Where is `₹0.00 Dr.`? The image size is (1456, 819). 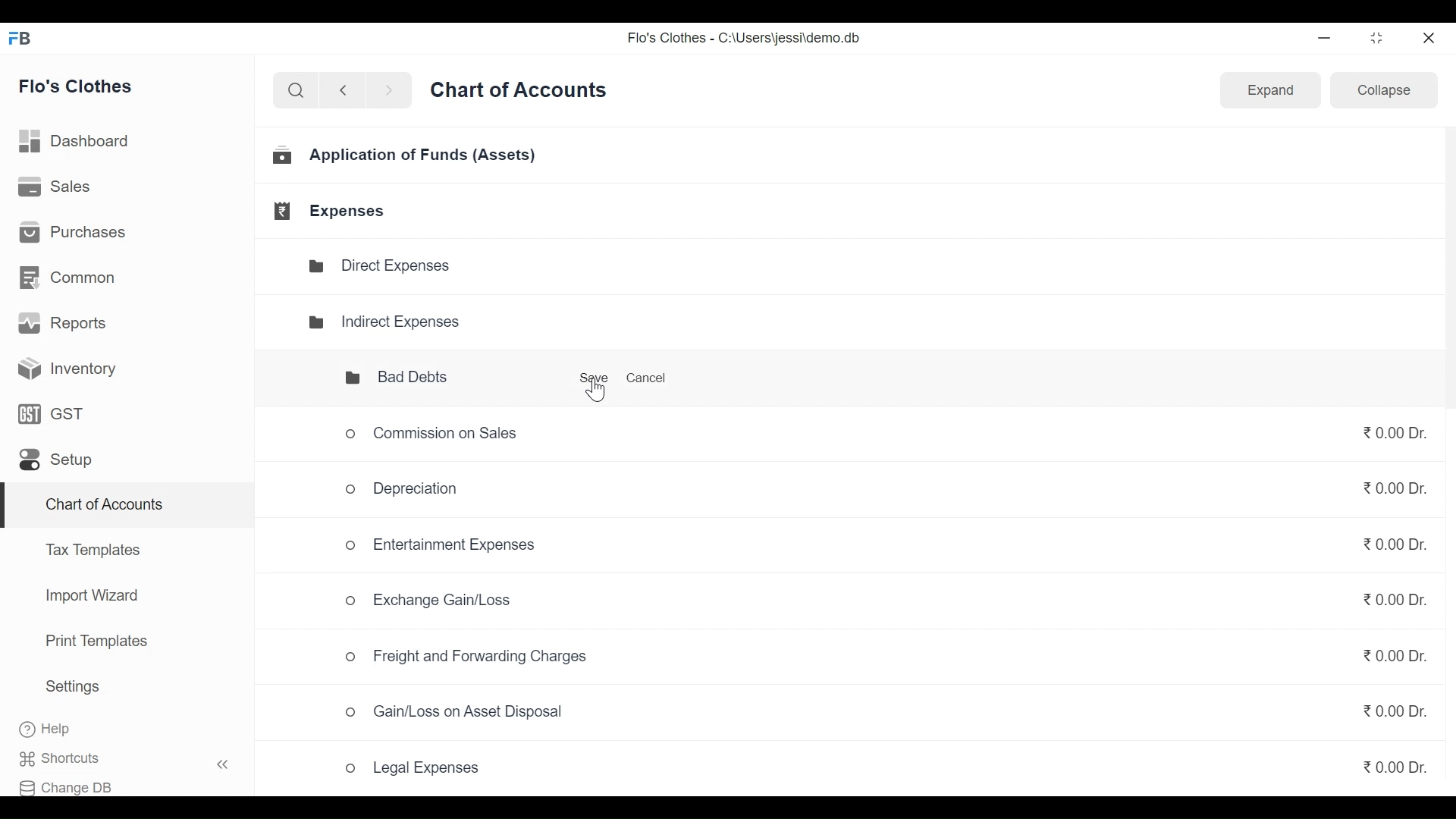
₹0.00 Dr. is located at coordinates (1394, 601).